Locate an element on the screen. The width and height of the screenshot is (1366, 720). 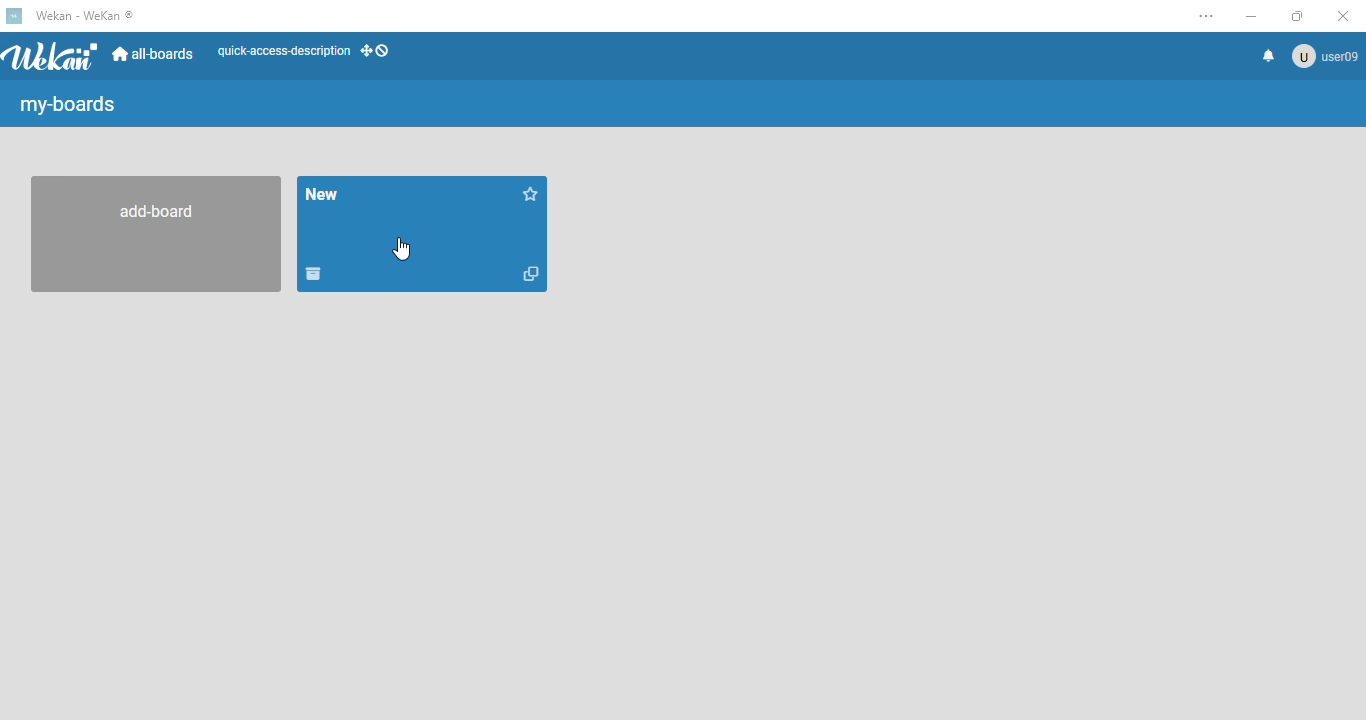
quick-access-description is located at coordinates (283, 51).